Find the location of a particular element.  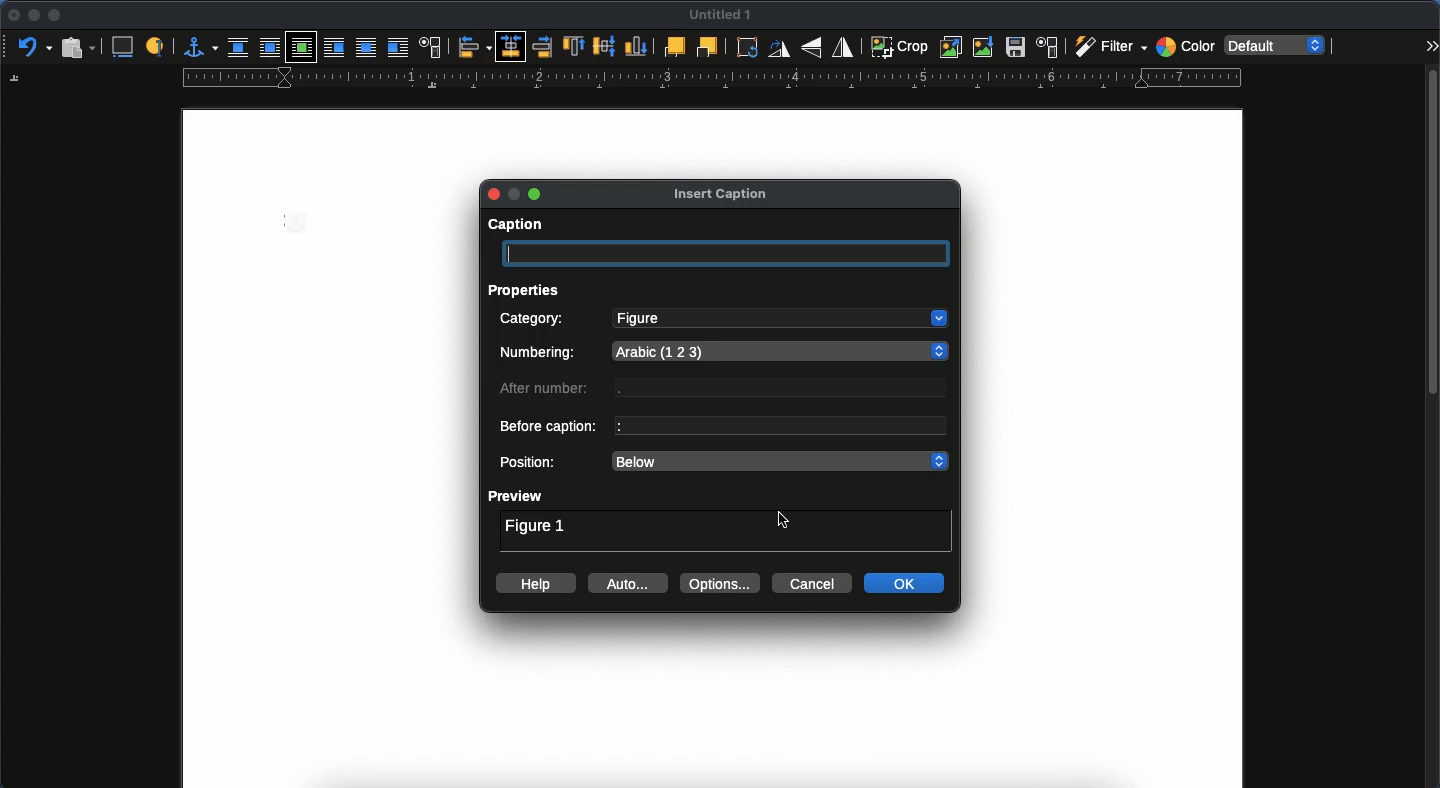

figure is located at coordinates (780, 319).